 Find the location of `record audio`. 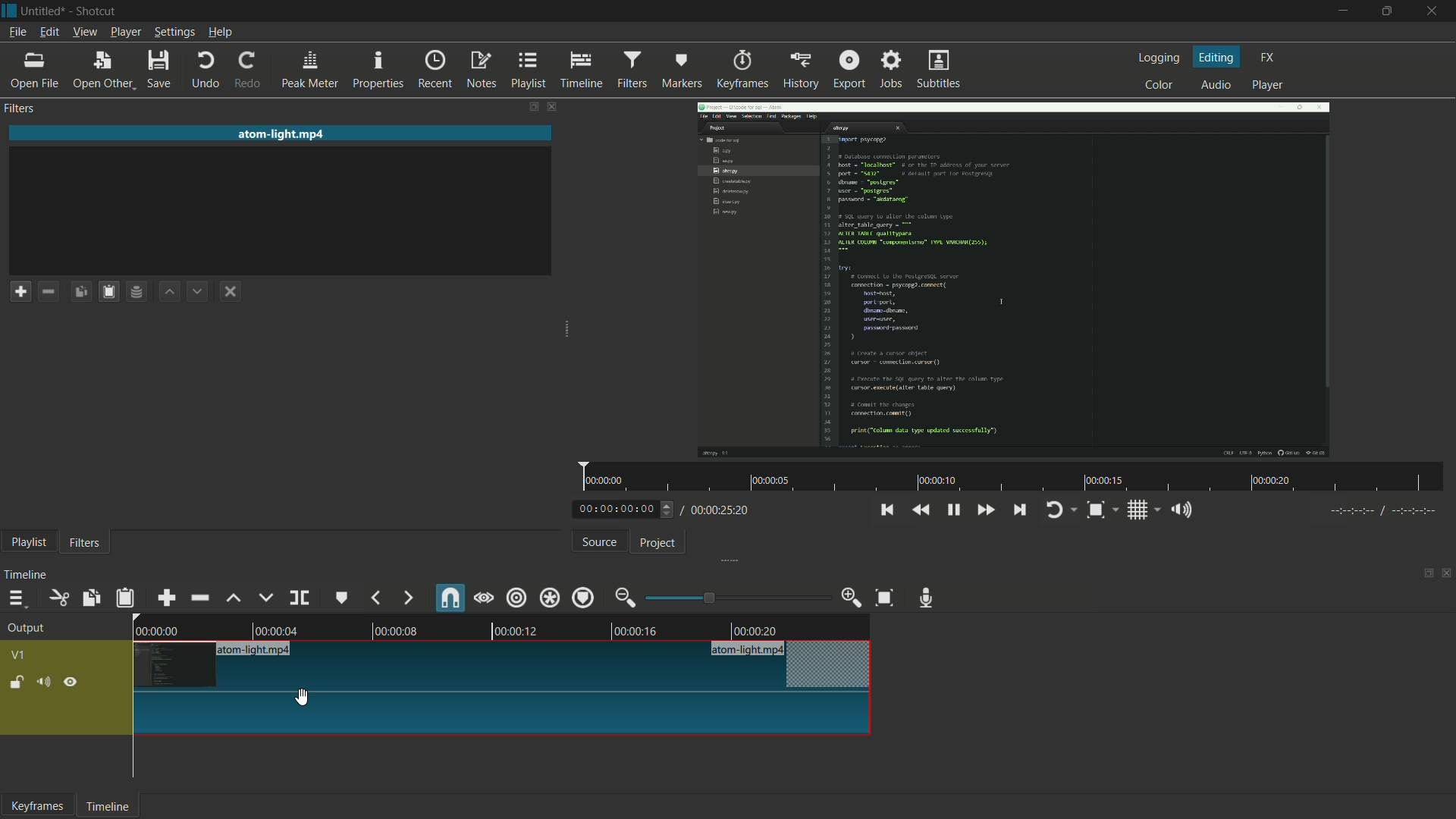

record audio is located at coordinates (926, 598).